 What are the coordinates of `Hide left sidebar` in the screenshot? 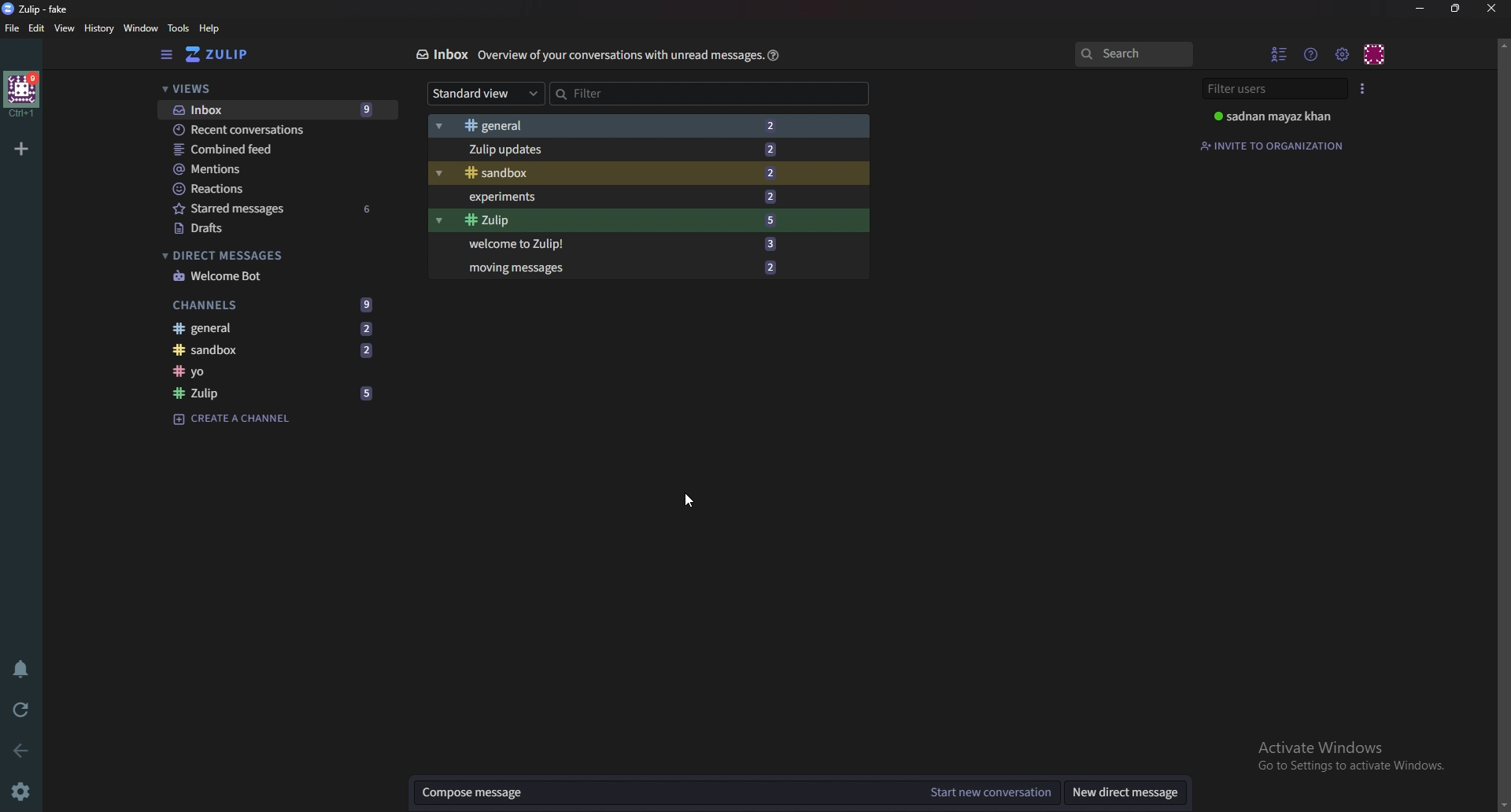 It's located at (168, 54).